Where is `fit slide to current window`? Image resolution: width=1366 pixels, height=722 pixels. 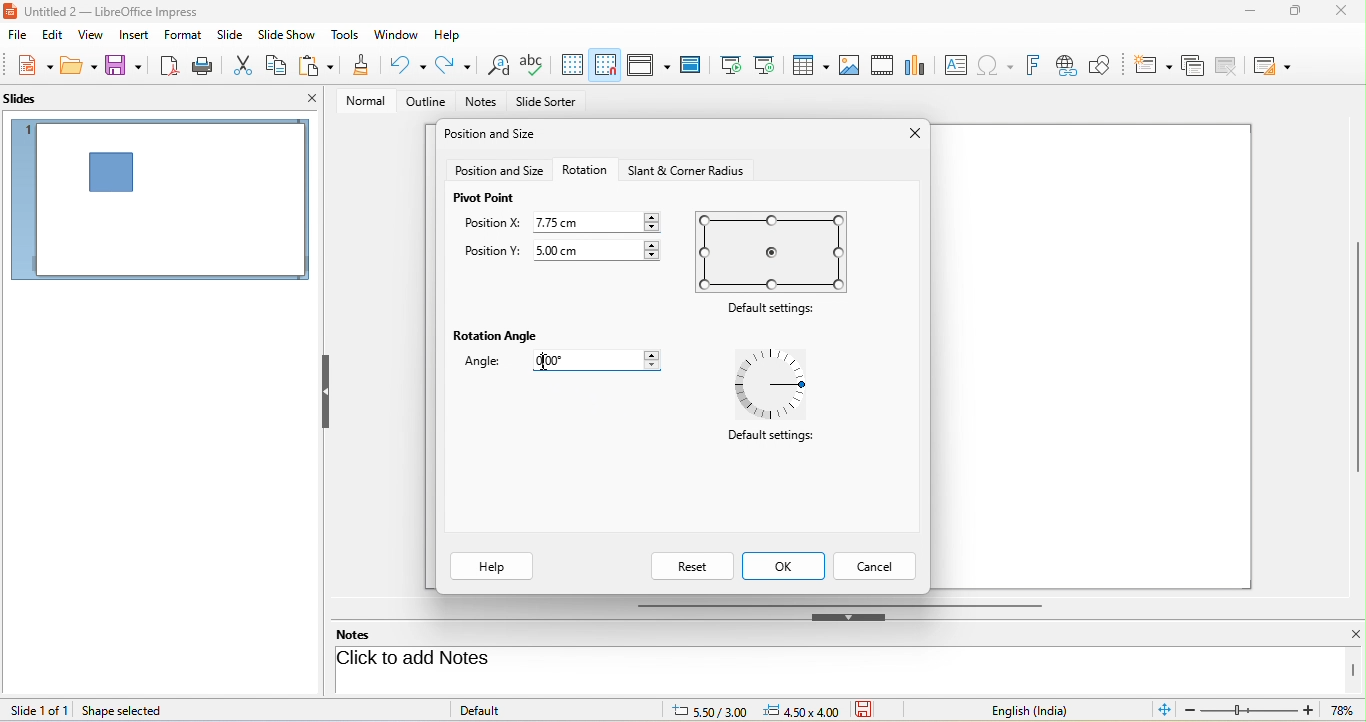 fit slide to current window is located at coordinates (1166, 710).